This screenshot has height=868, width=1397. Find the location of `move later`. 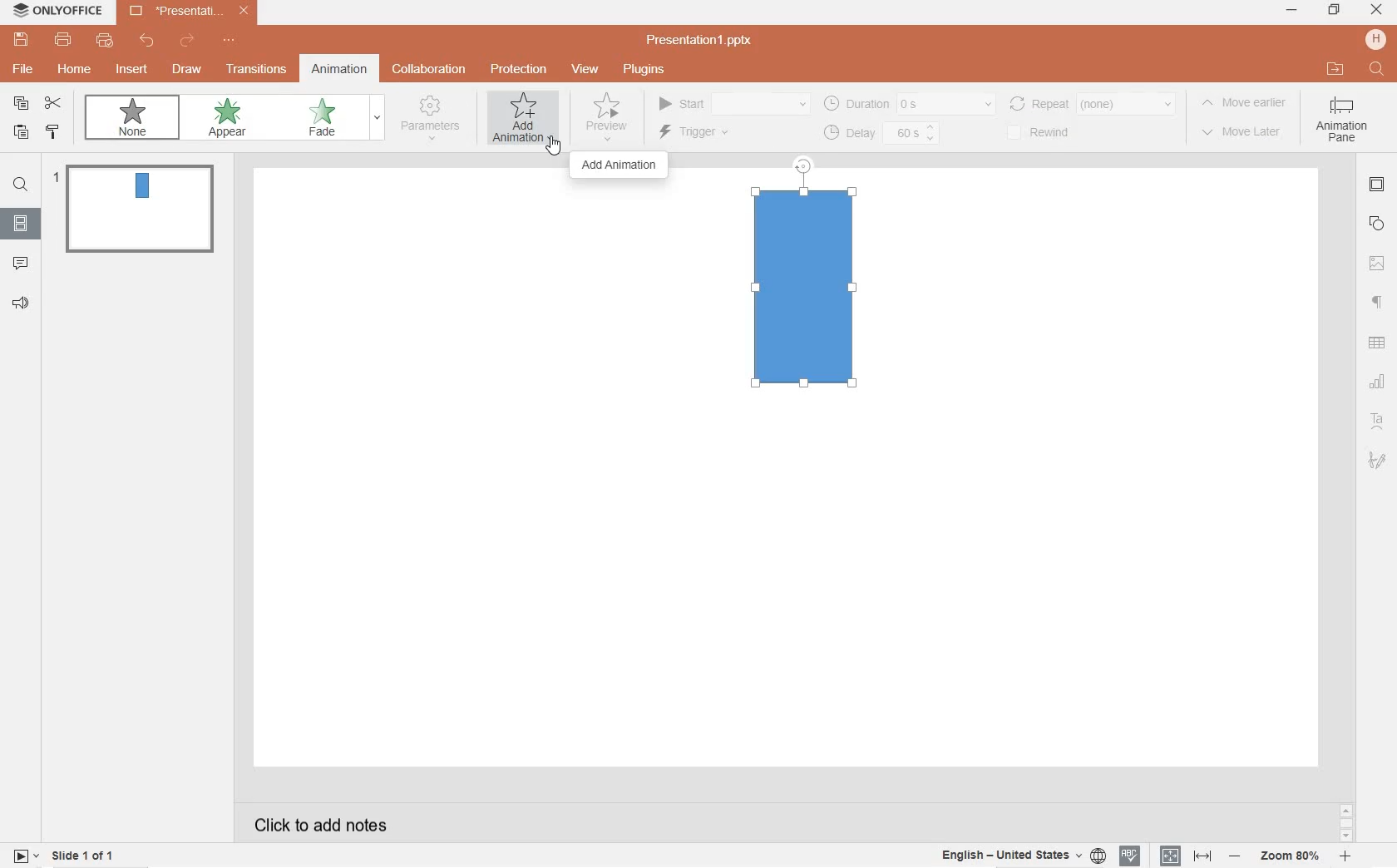

move later is located at coordinates (1242, 136).